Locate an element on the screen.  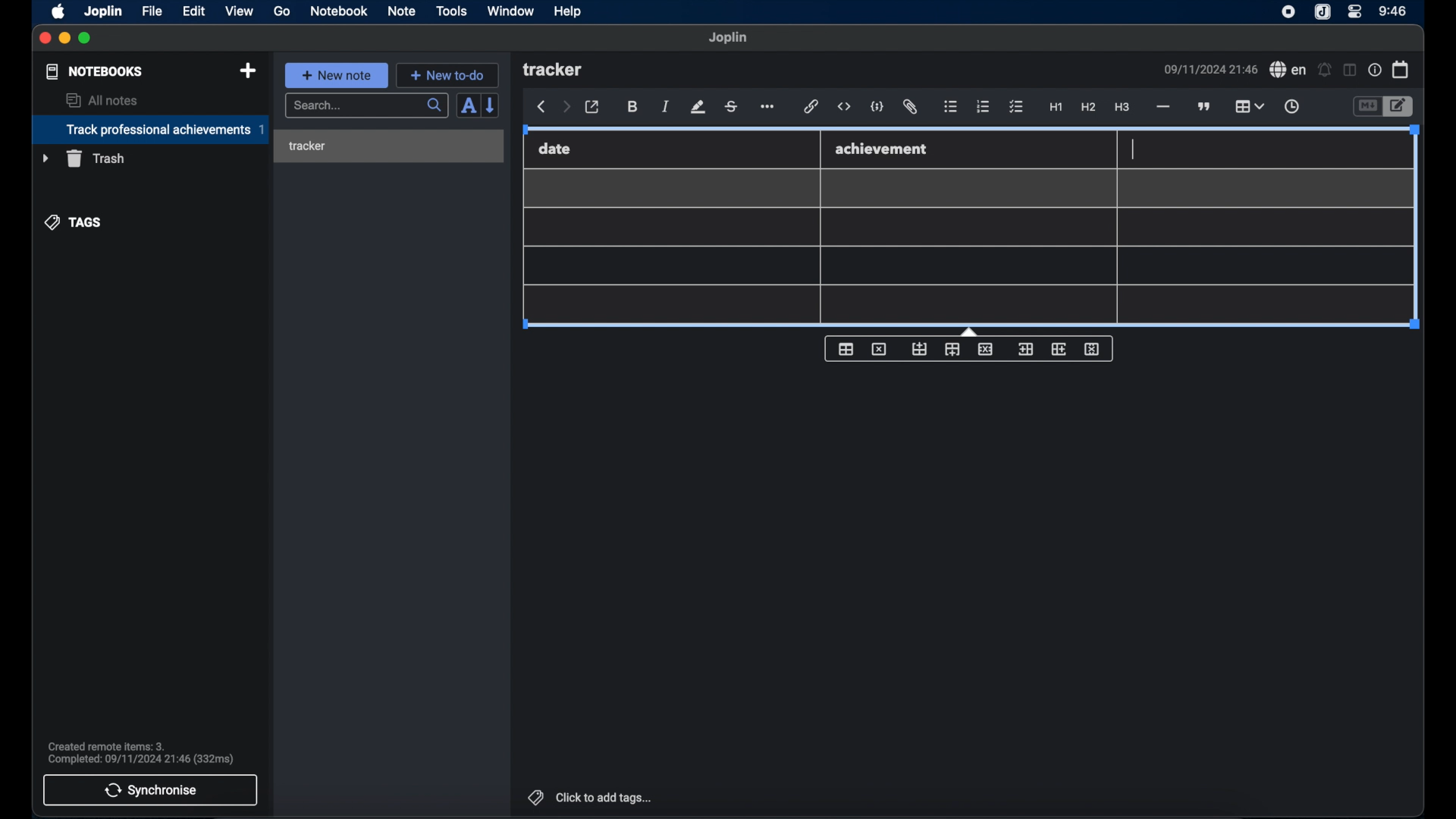
toggle editor layout is located at coordinates (1348, 71).